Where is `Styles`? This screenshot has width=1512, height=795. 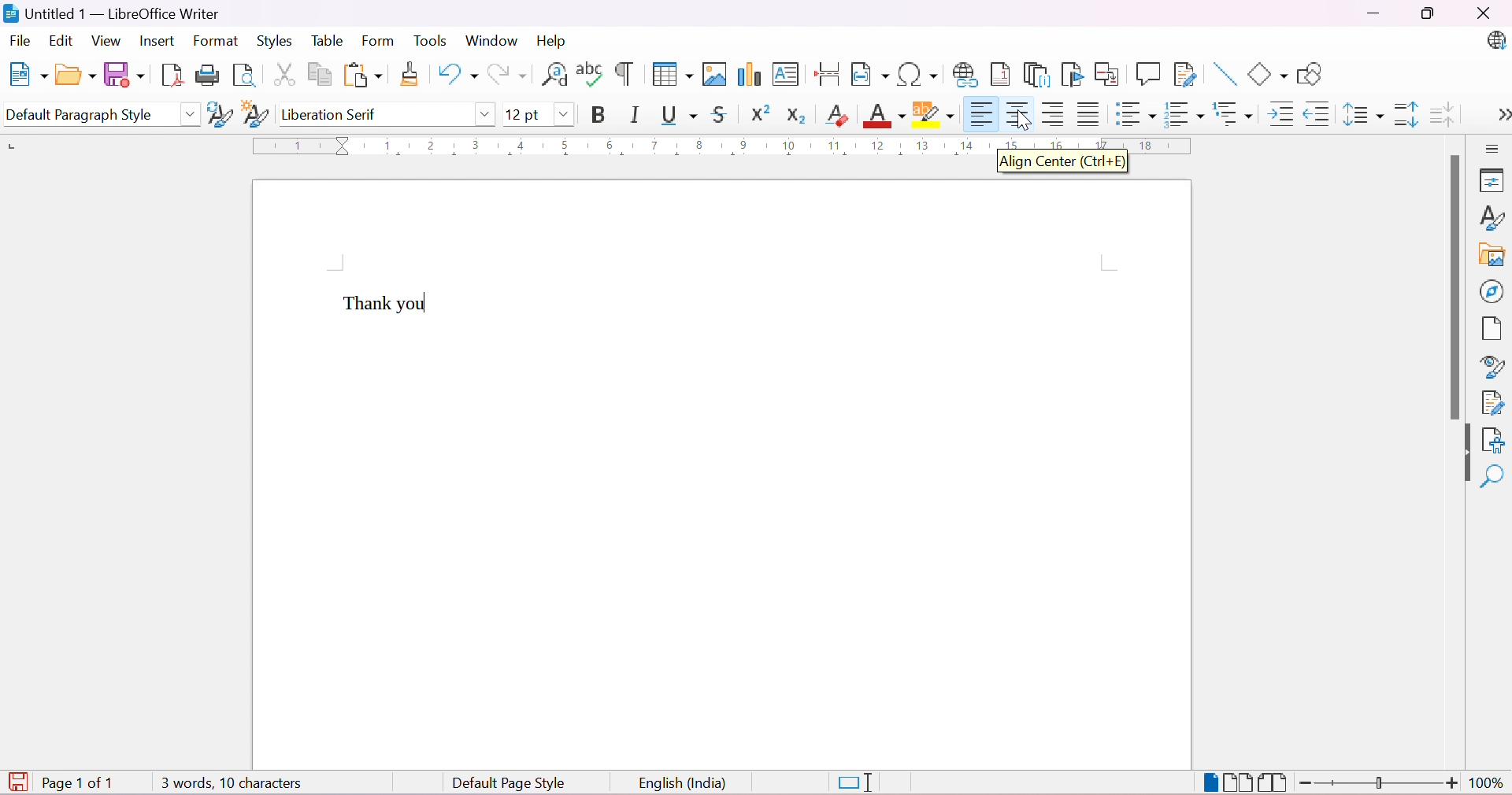 Styles is located at coordinates (1492, 217).